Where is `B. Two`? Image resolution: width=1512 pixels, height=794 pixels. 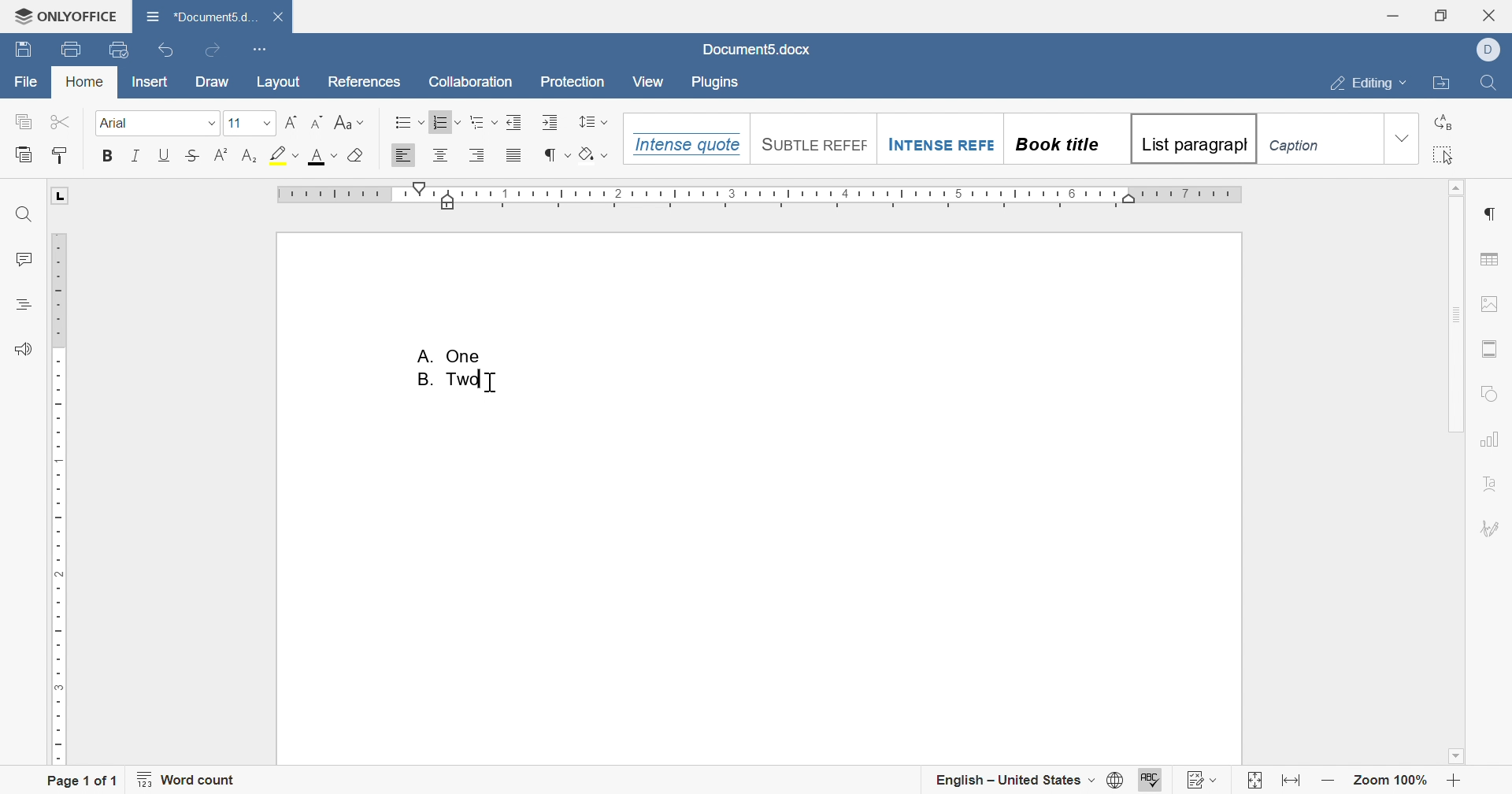 B. Two is located at coordinates (454, 380).